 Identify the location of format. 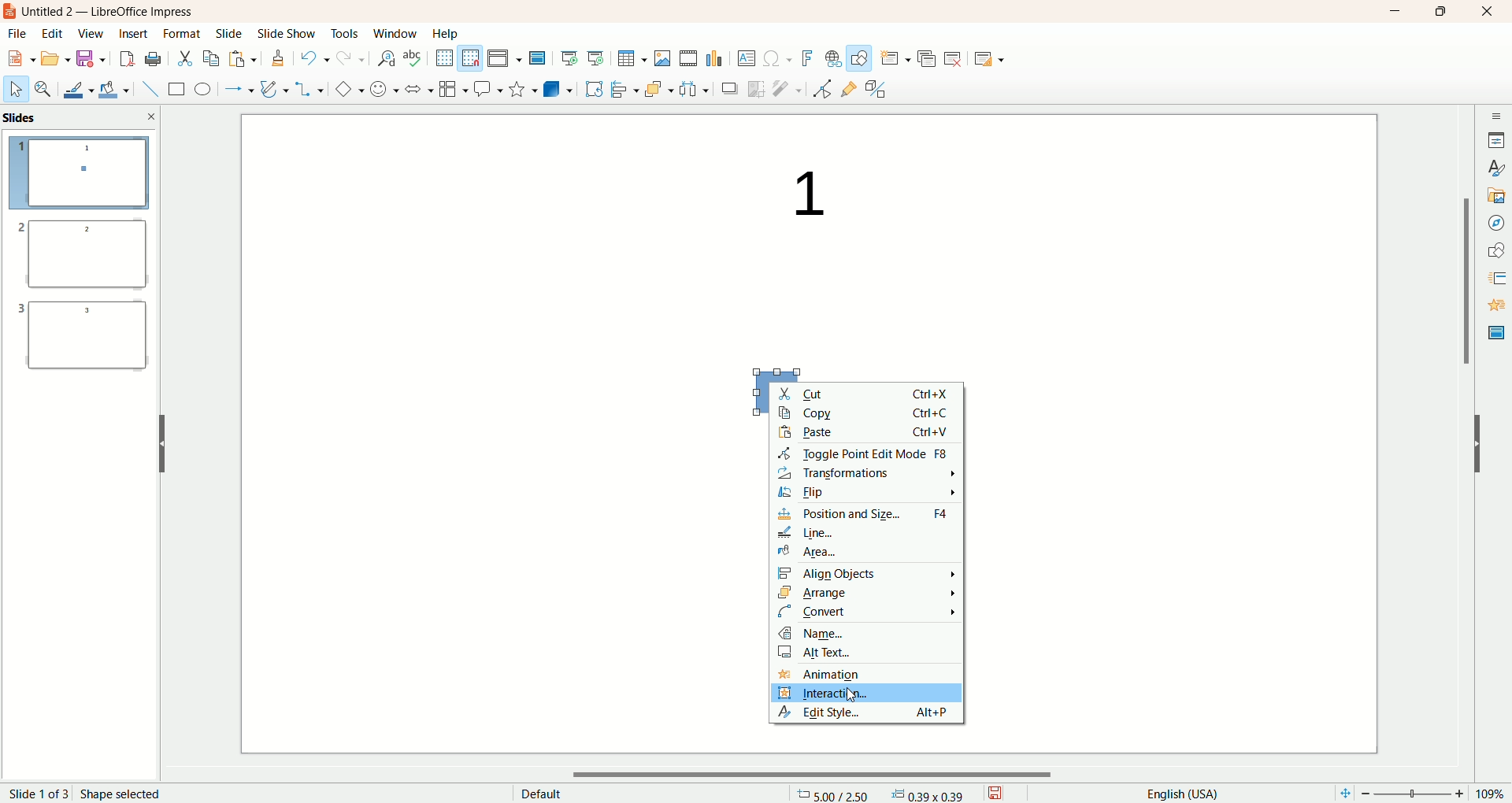
(183, 32).